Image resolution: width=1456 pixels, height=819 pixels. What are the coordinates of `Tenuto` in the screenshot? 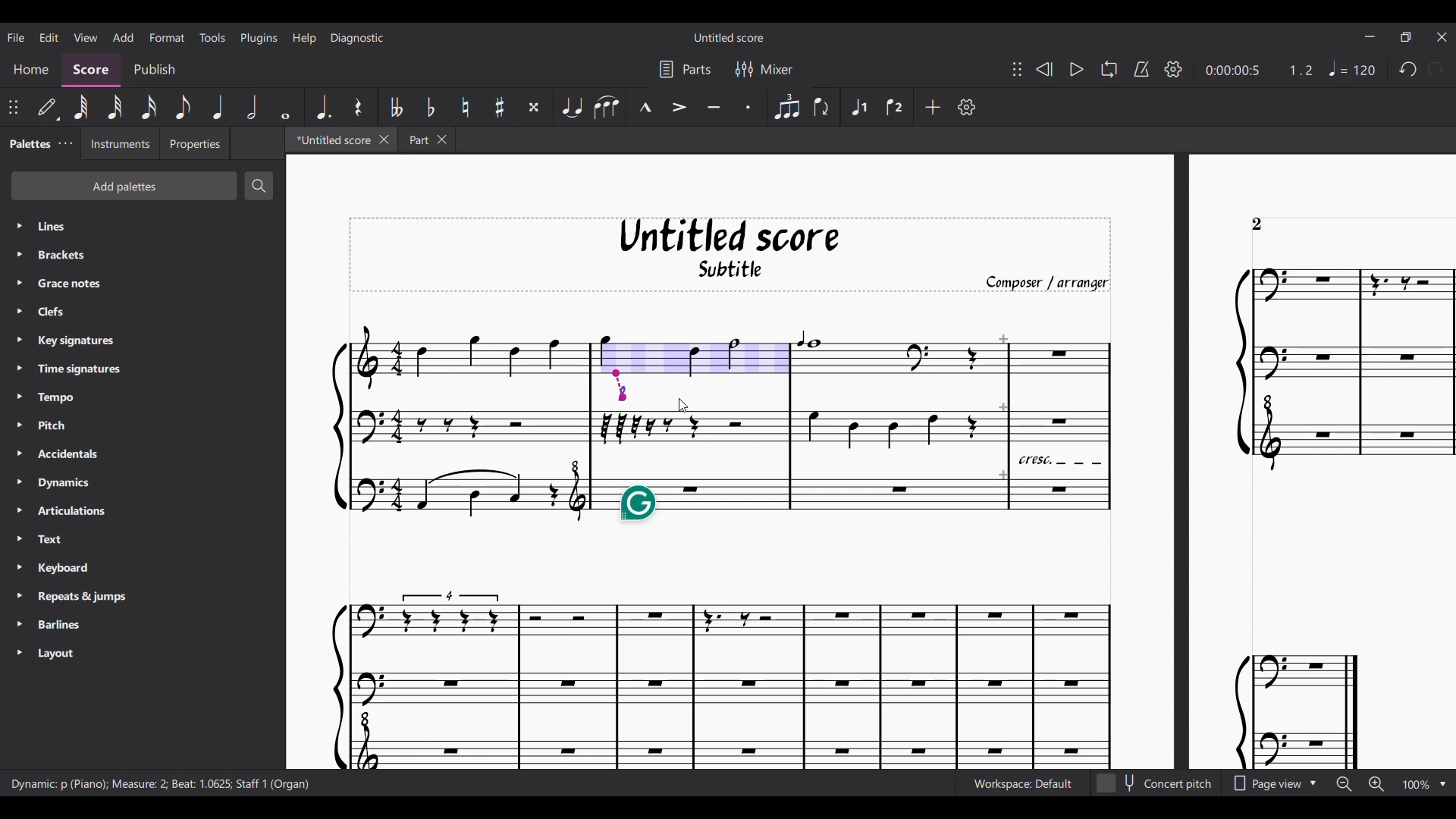 It's located at (714, 106).